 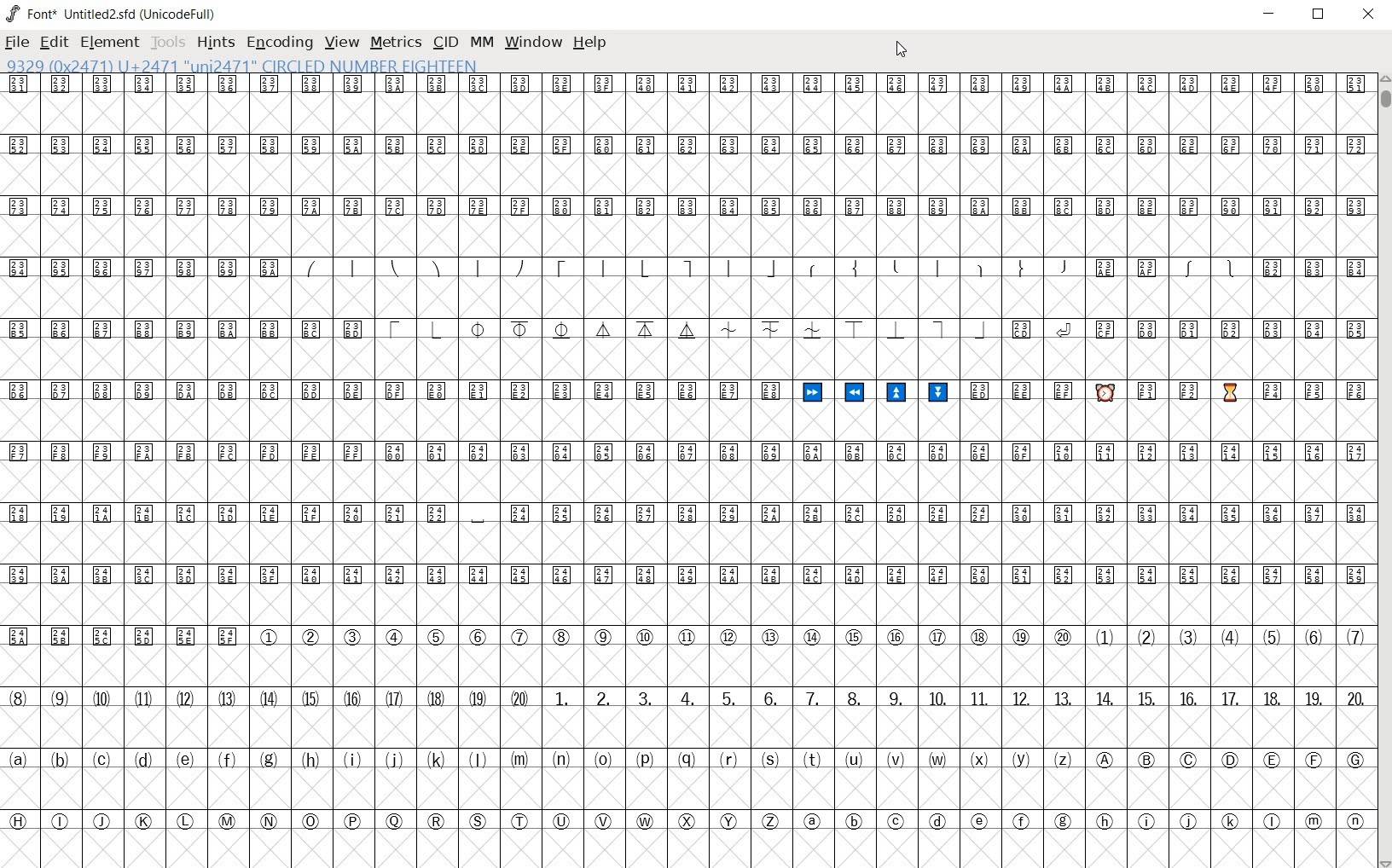 I want to click on edit, so click(x=53, y=42).